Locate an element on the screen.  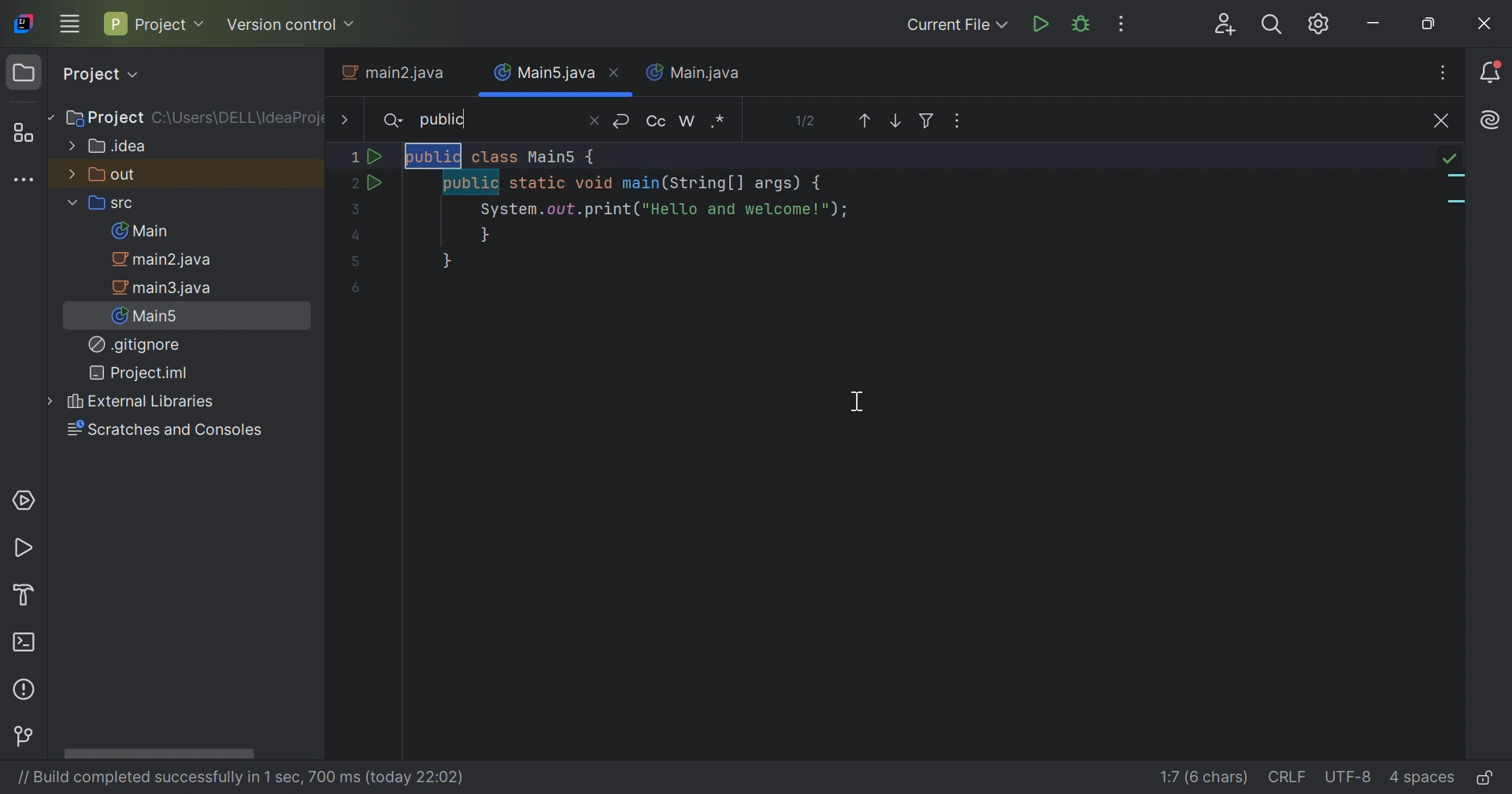
Run is located at coordinates (377, 184).